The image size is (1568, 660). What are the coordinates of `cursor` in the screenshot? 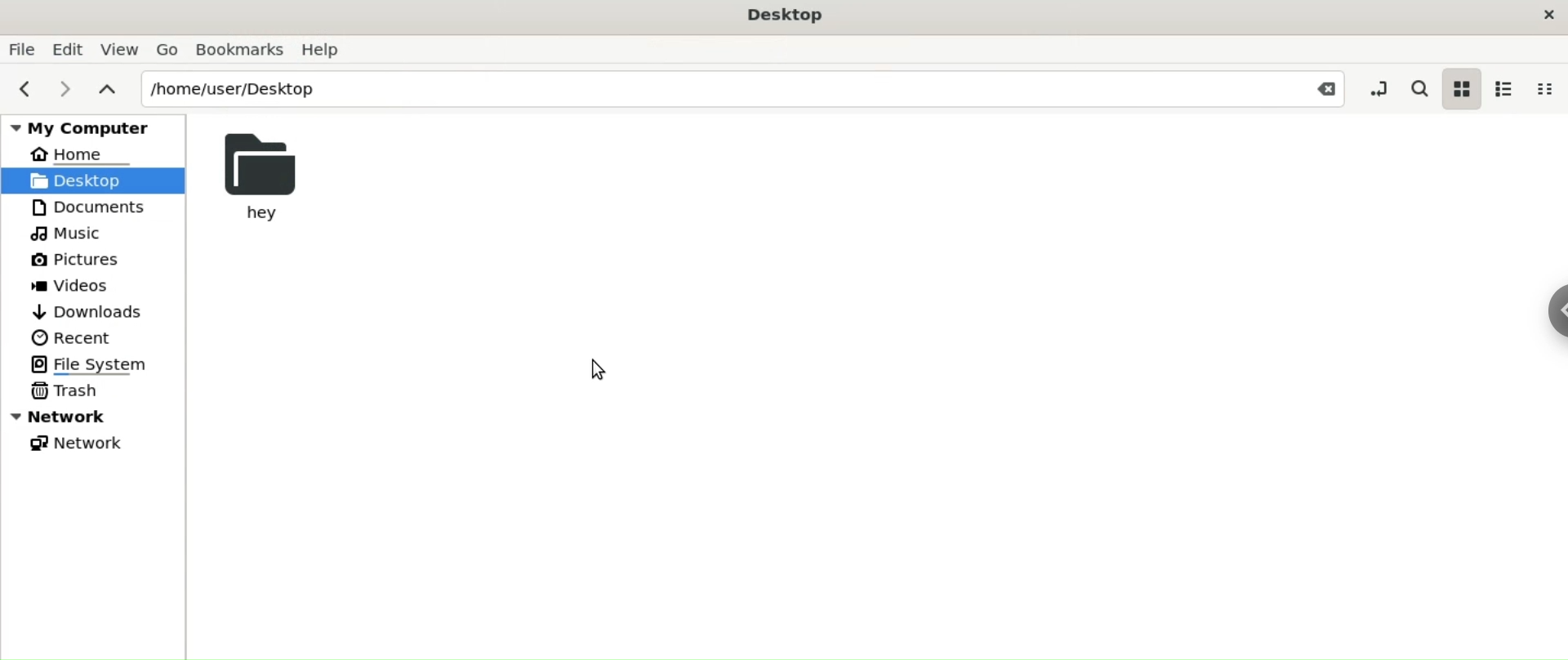 It's located at (595, 371).